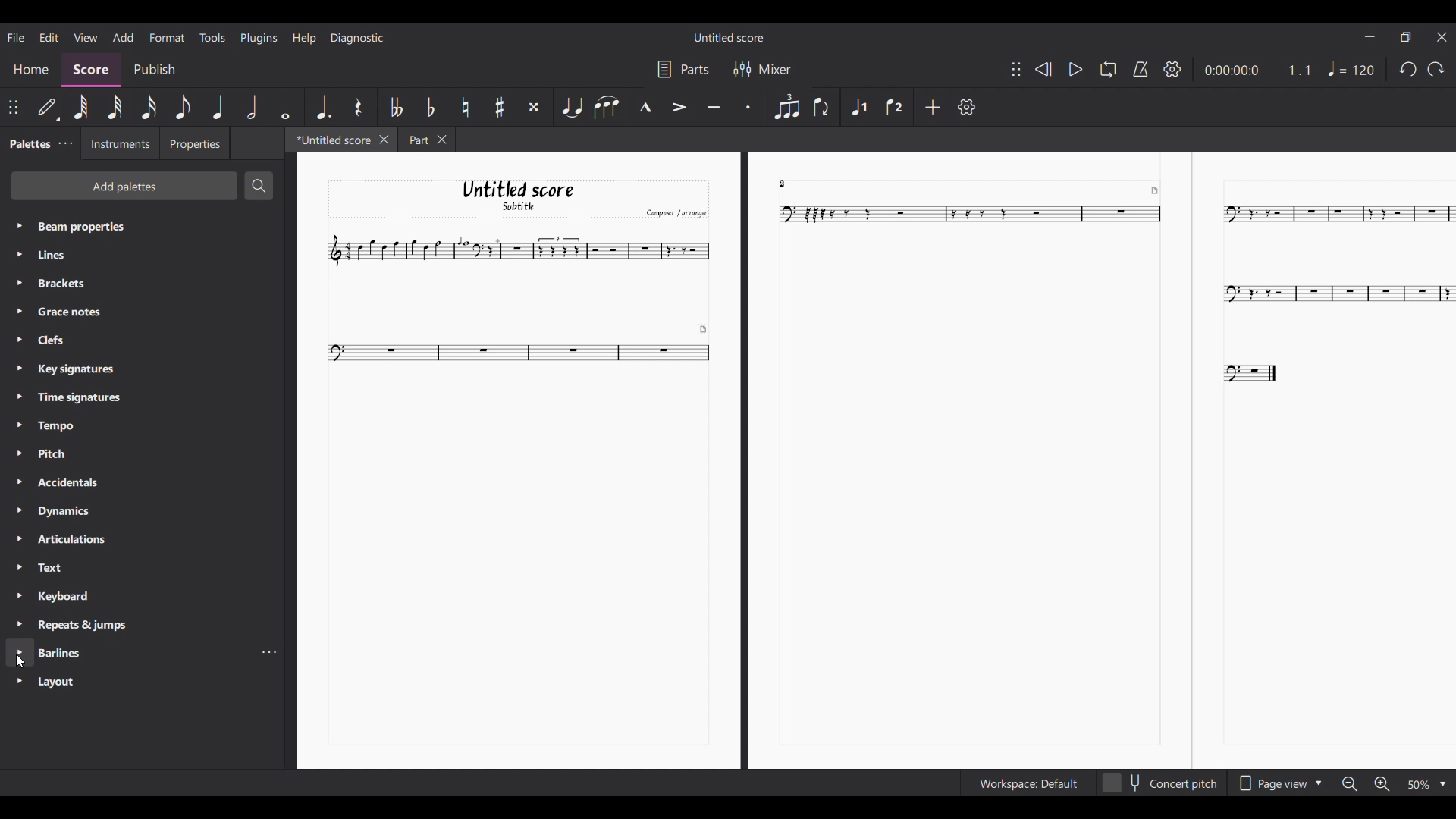  What do you see at coordinates (13, 107) in the screenshot?
I see `Change position` at bounding box center [13, 107].